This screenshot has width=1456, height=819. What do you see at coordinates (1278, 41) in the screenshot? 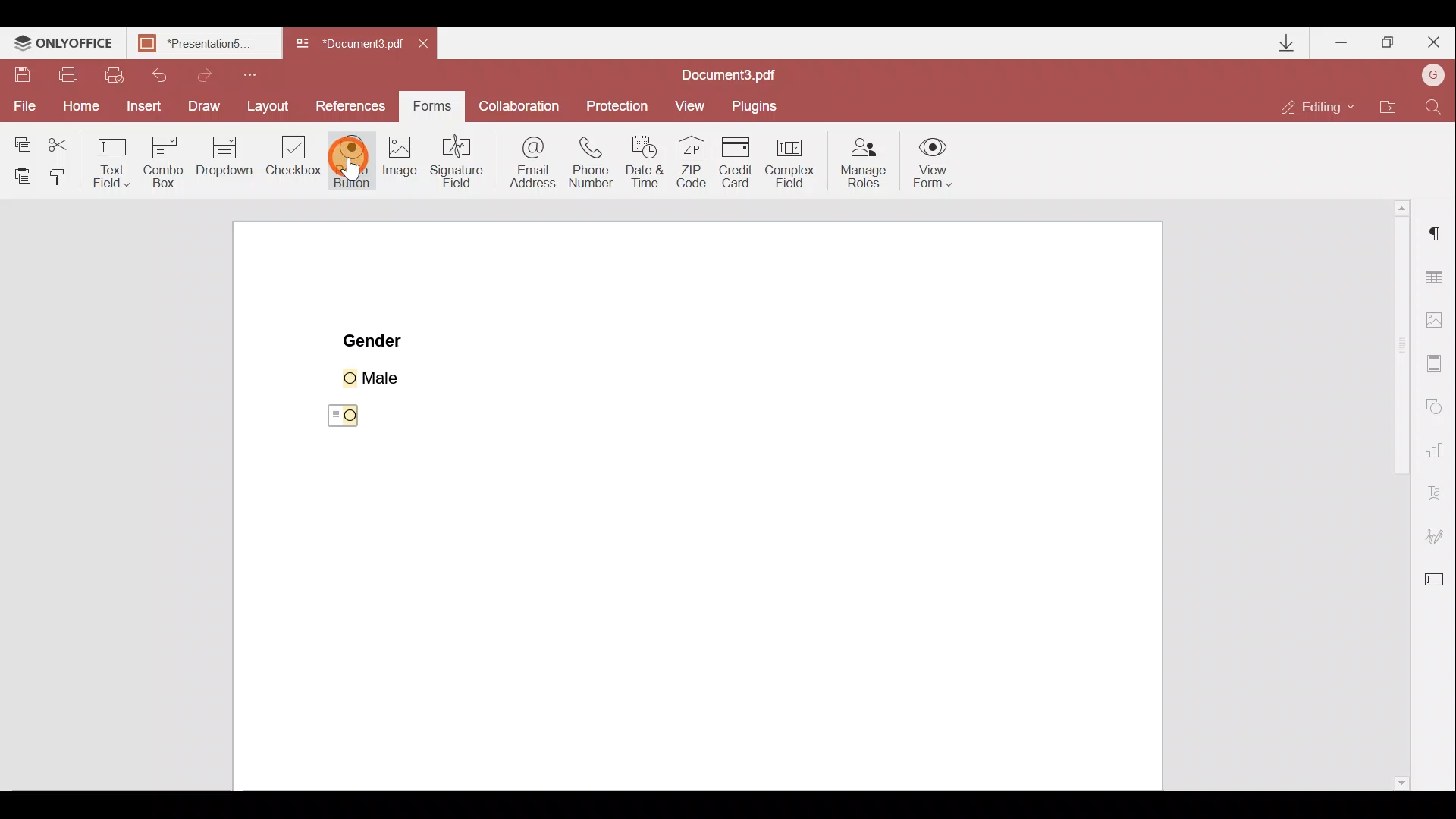
I see `Downloads` at bounding box center [1278, 41].